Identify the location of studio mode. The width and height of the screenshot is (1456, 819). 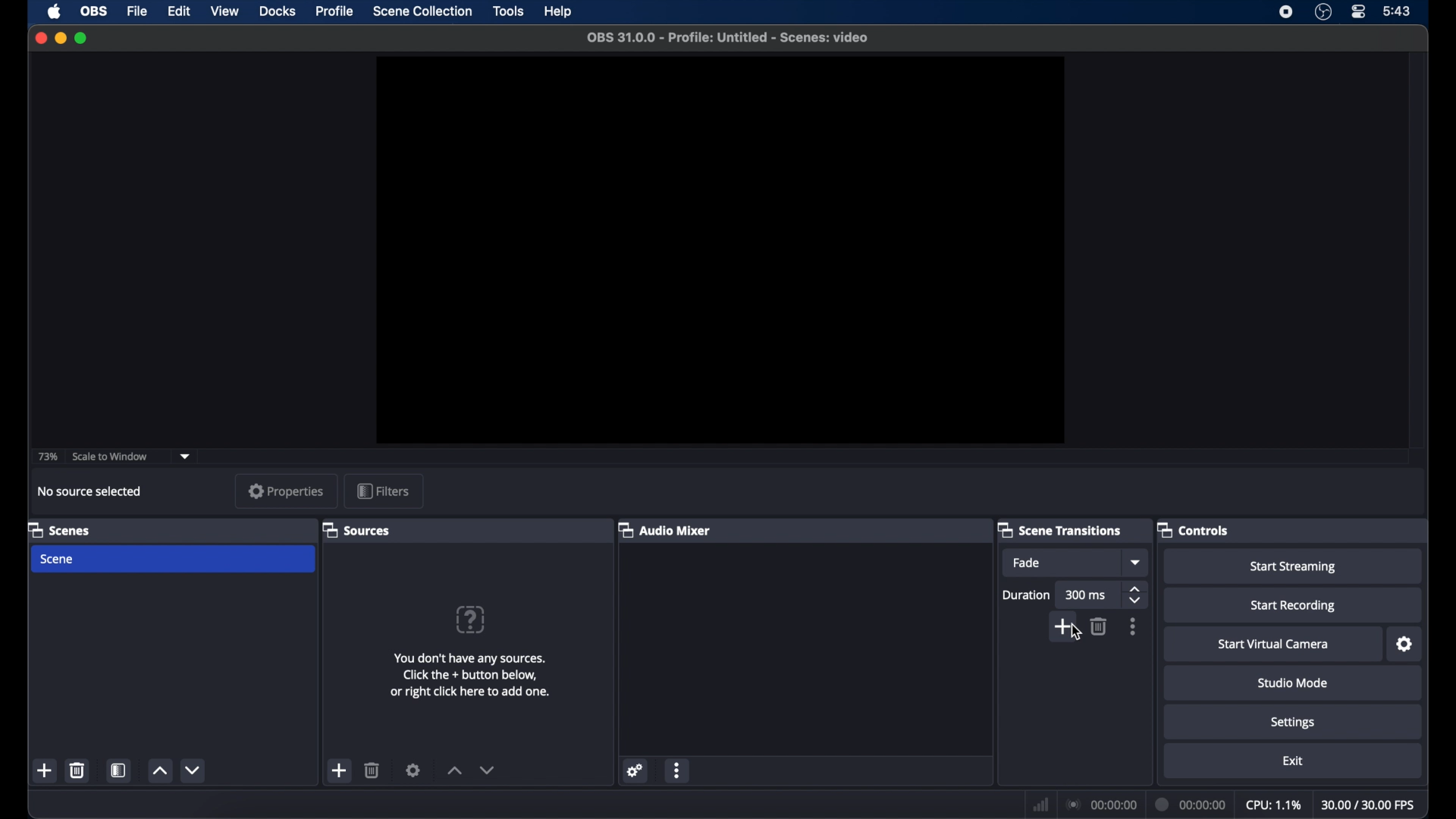
(1293, 683).